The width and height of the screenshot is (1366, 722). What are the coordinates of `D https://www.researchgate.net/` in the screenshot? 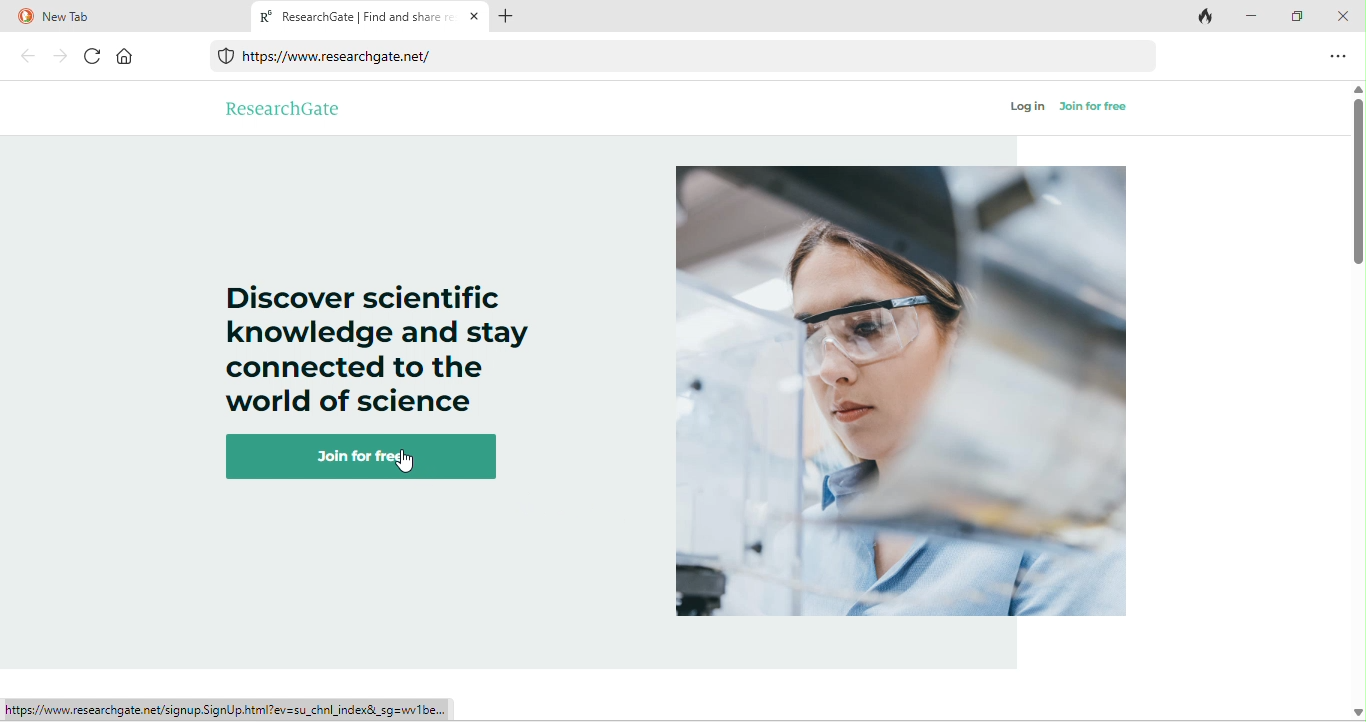 It's located at (335, 57).